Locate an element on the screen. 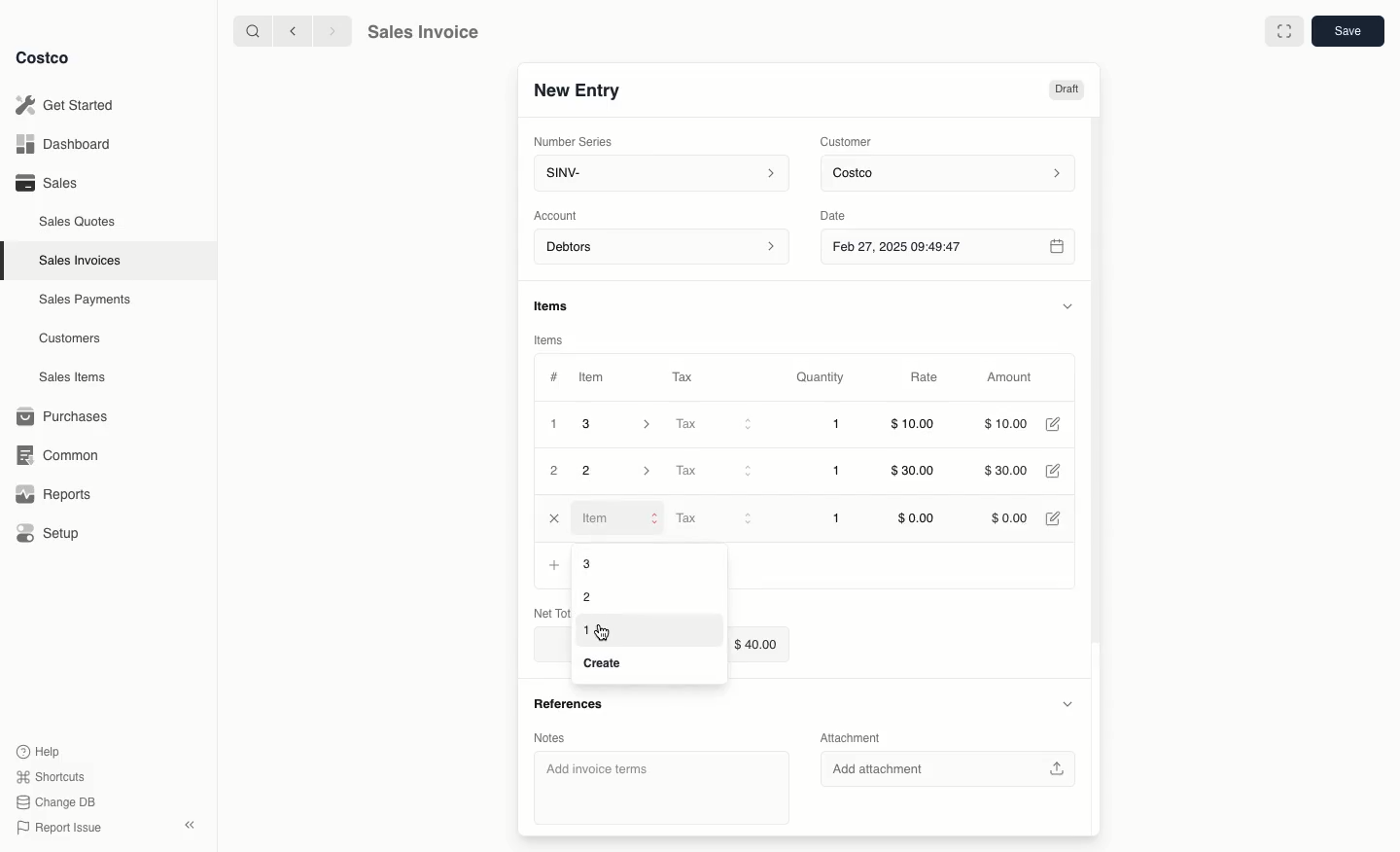 This screenshot has height=852, width=1400. $10.00 is located at coordinates (914, 427).